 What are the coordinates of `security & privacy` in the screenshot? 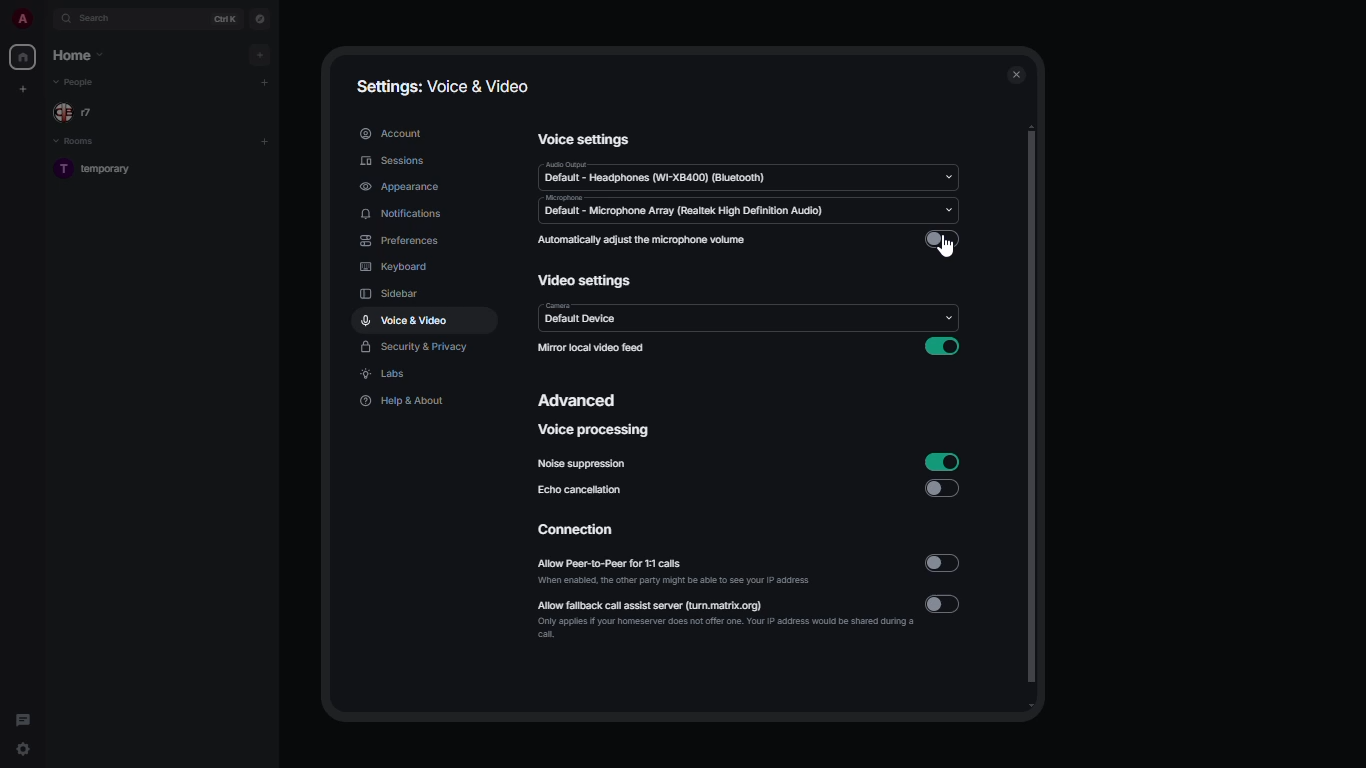 It's located at (416, 348).